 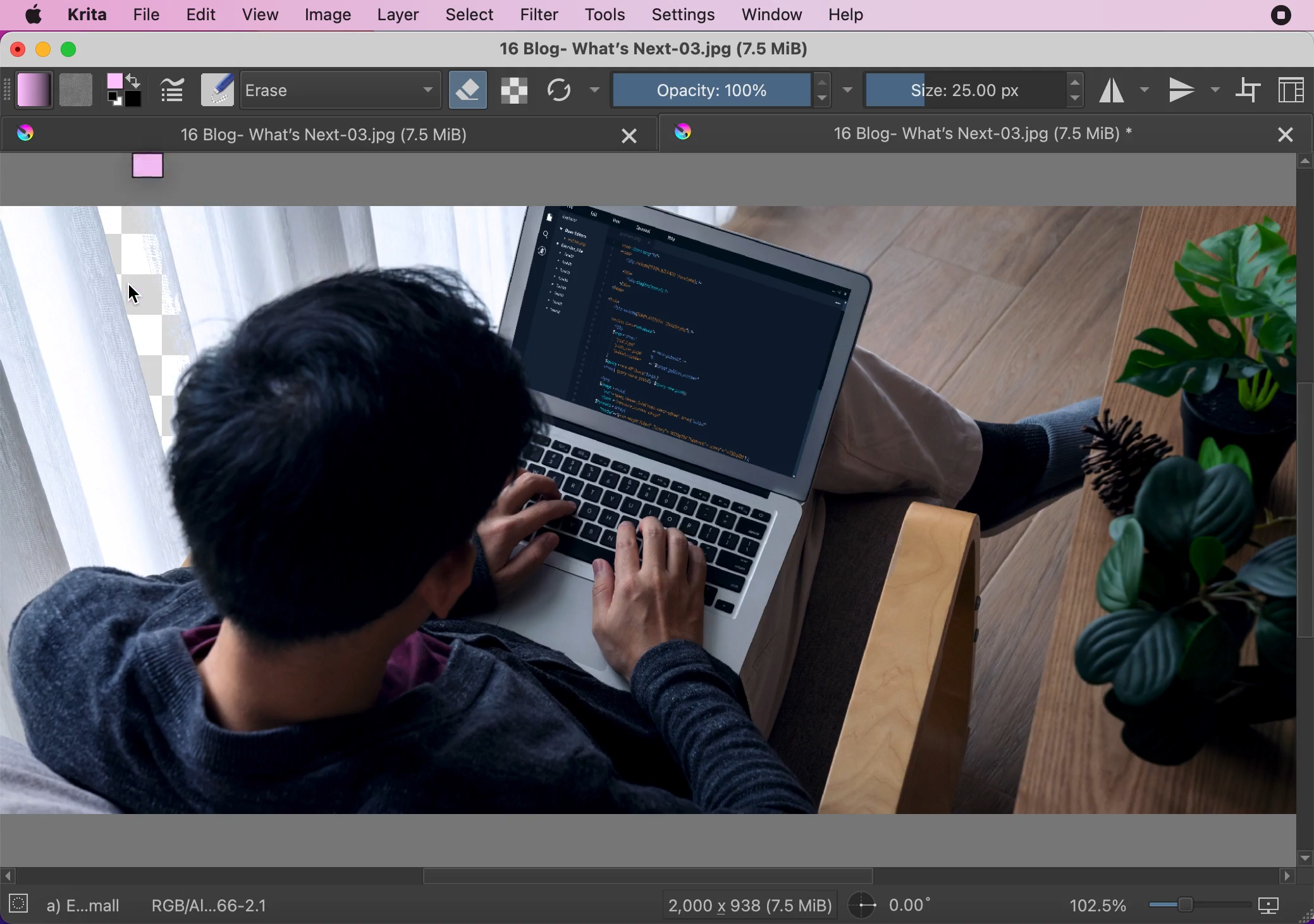 What do you see at coordinates (651, 49) in the screenshot?
I see `16 Blog- What's Next-03.jpg (7.5 MiB)` at bounding box center [651, 49].